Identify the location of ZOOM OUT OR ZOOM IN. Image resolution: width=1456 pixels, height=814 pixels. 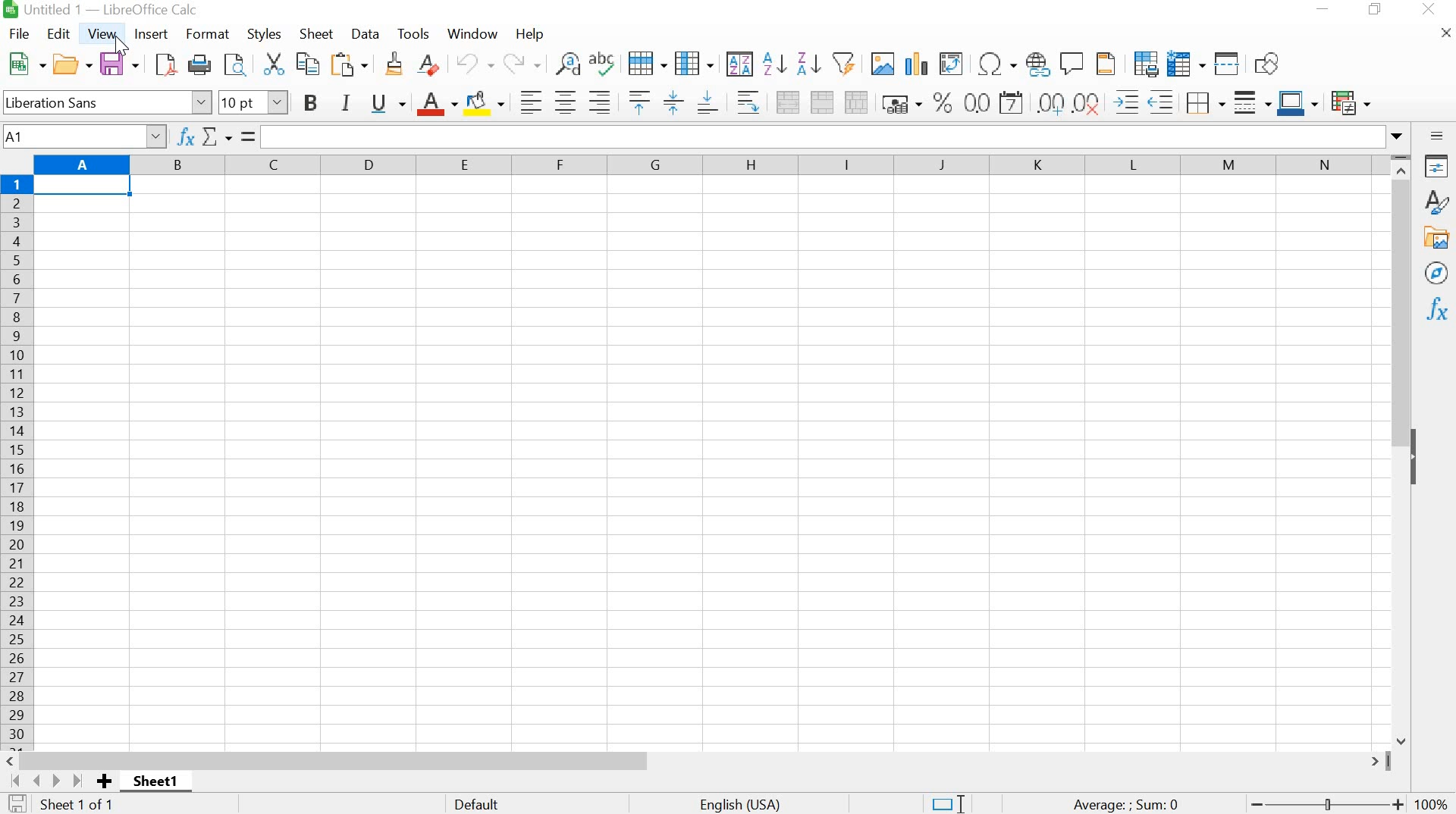
(1324, 805).